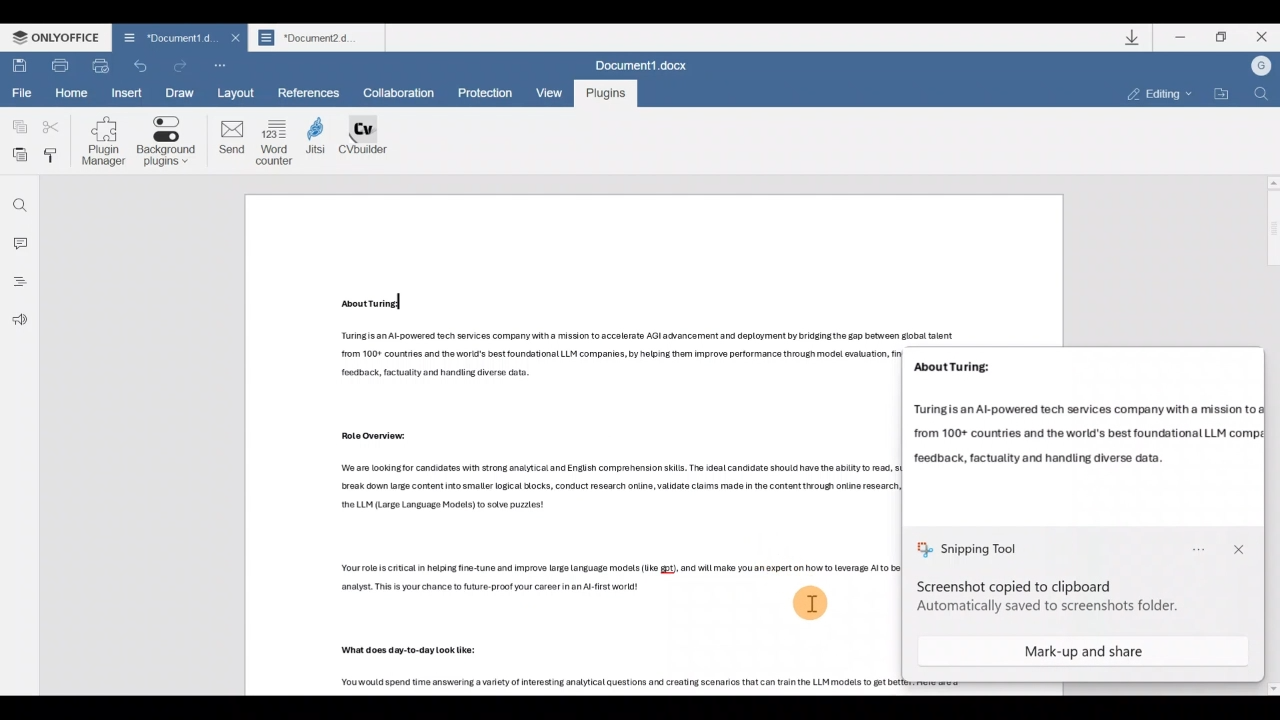 The height and width of the screenshot is (720, 1280). What do you see at coordinates (1218, 94) in the screenshot?
I see `Open file location` at bounding box center [1218, 94].